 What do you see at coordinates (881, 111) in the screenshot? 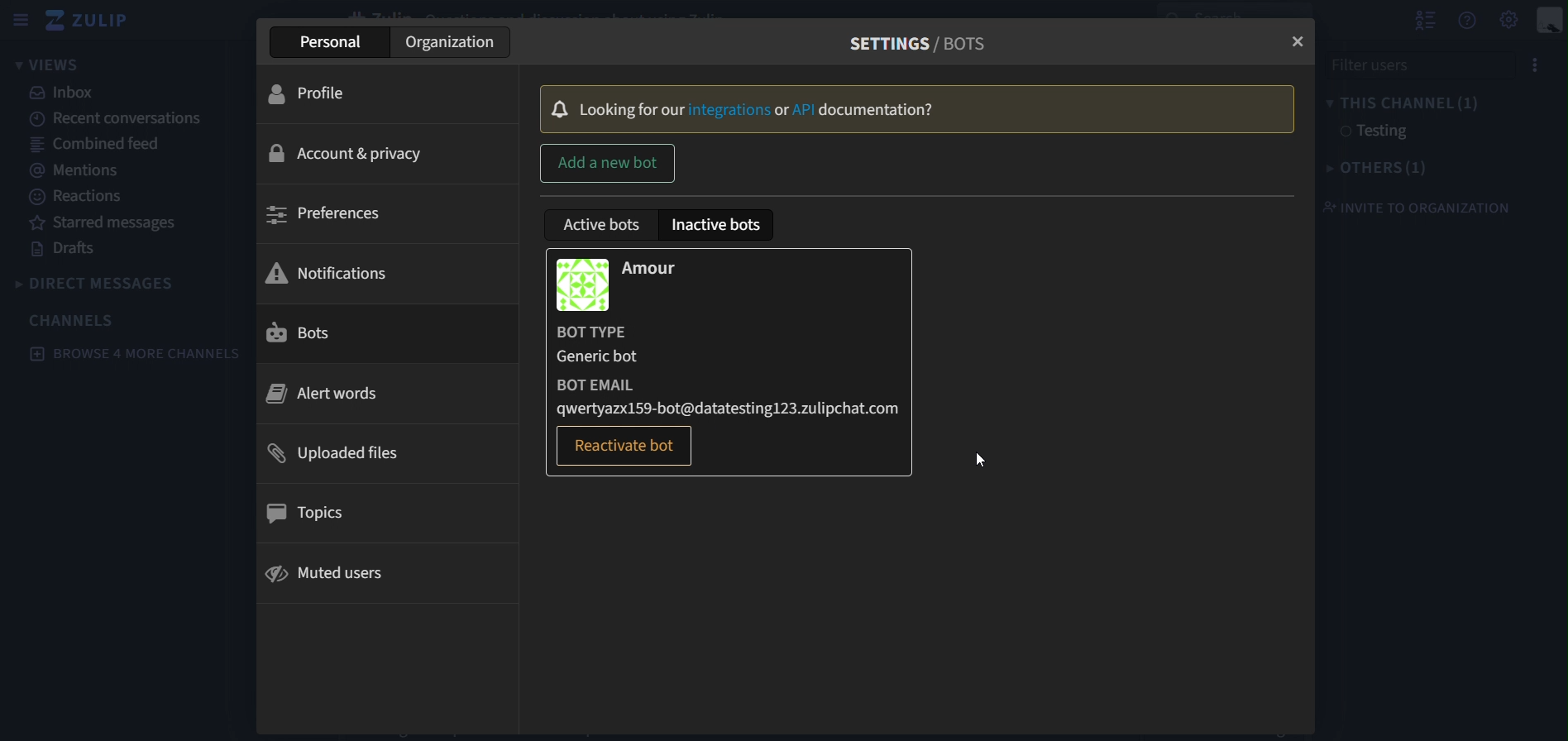
I see `Documentation?` at bounding box center [881, 111].